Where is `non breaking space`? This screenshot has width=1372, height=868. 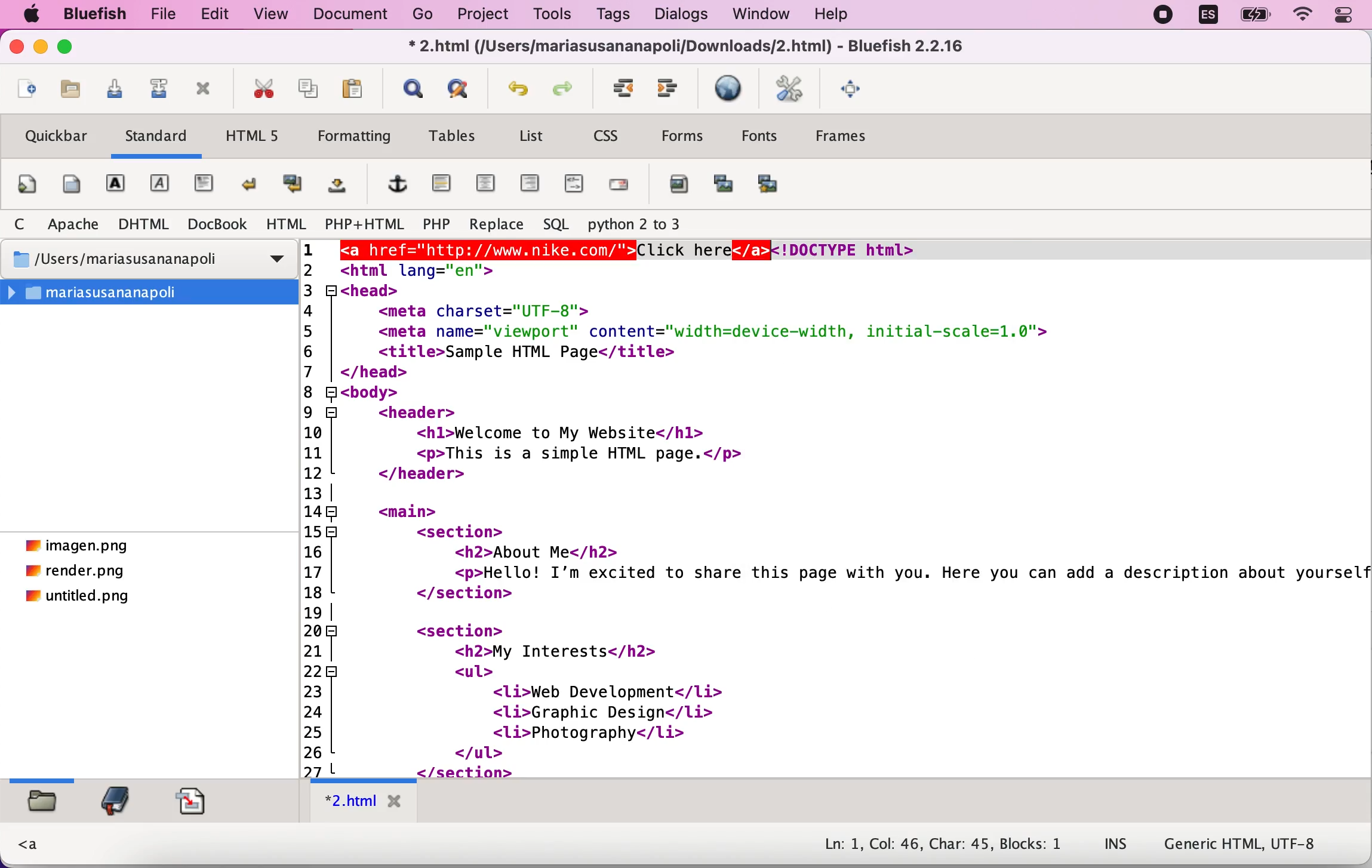 non breaking space is located at coordinates (336, 189).